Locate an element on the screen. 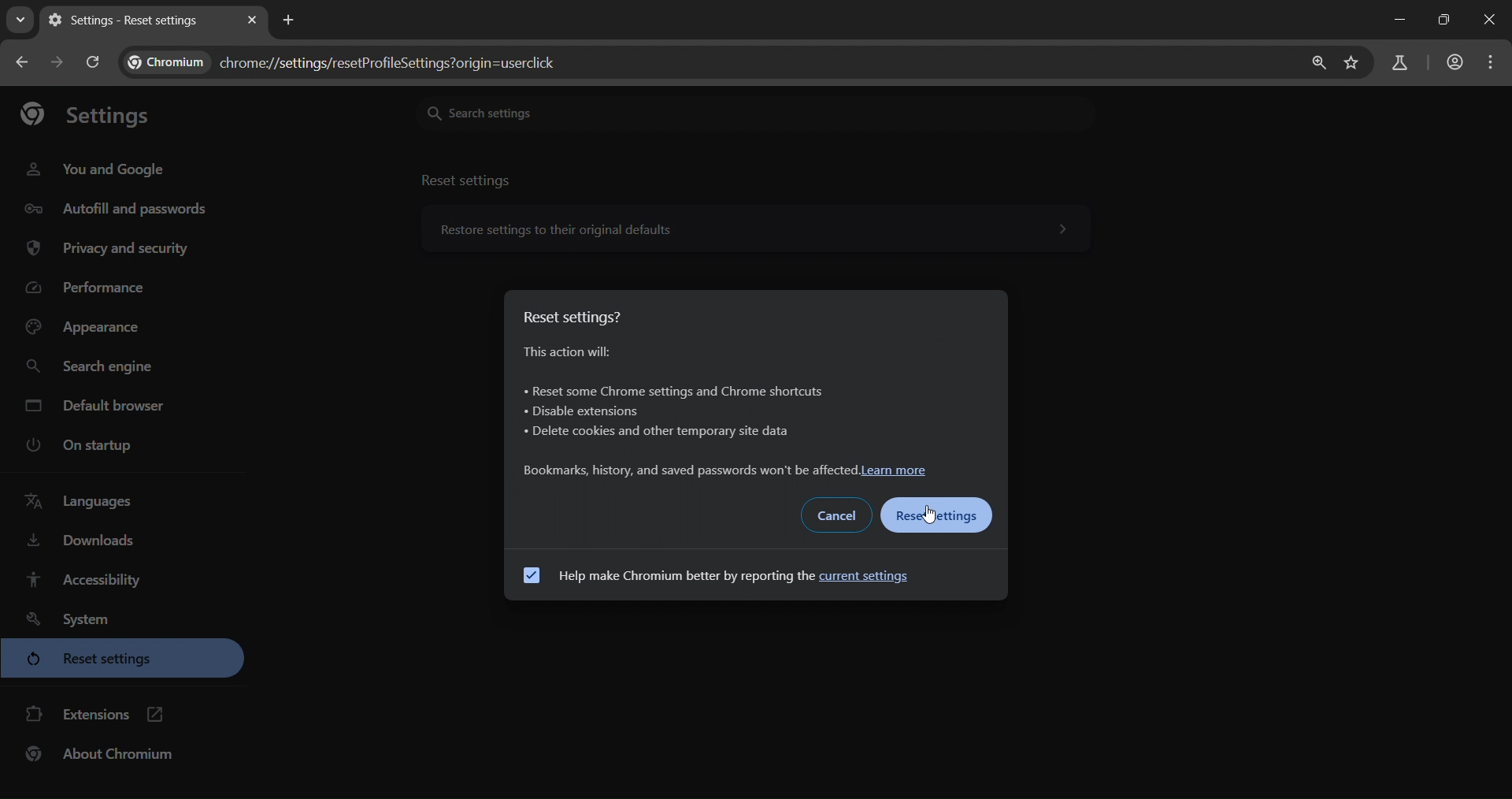 This screenshot has height=799, width=1512. reset settings? information about what the action will cause it. is located at coordinates (743, 392).